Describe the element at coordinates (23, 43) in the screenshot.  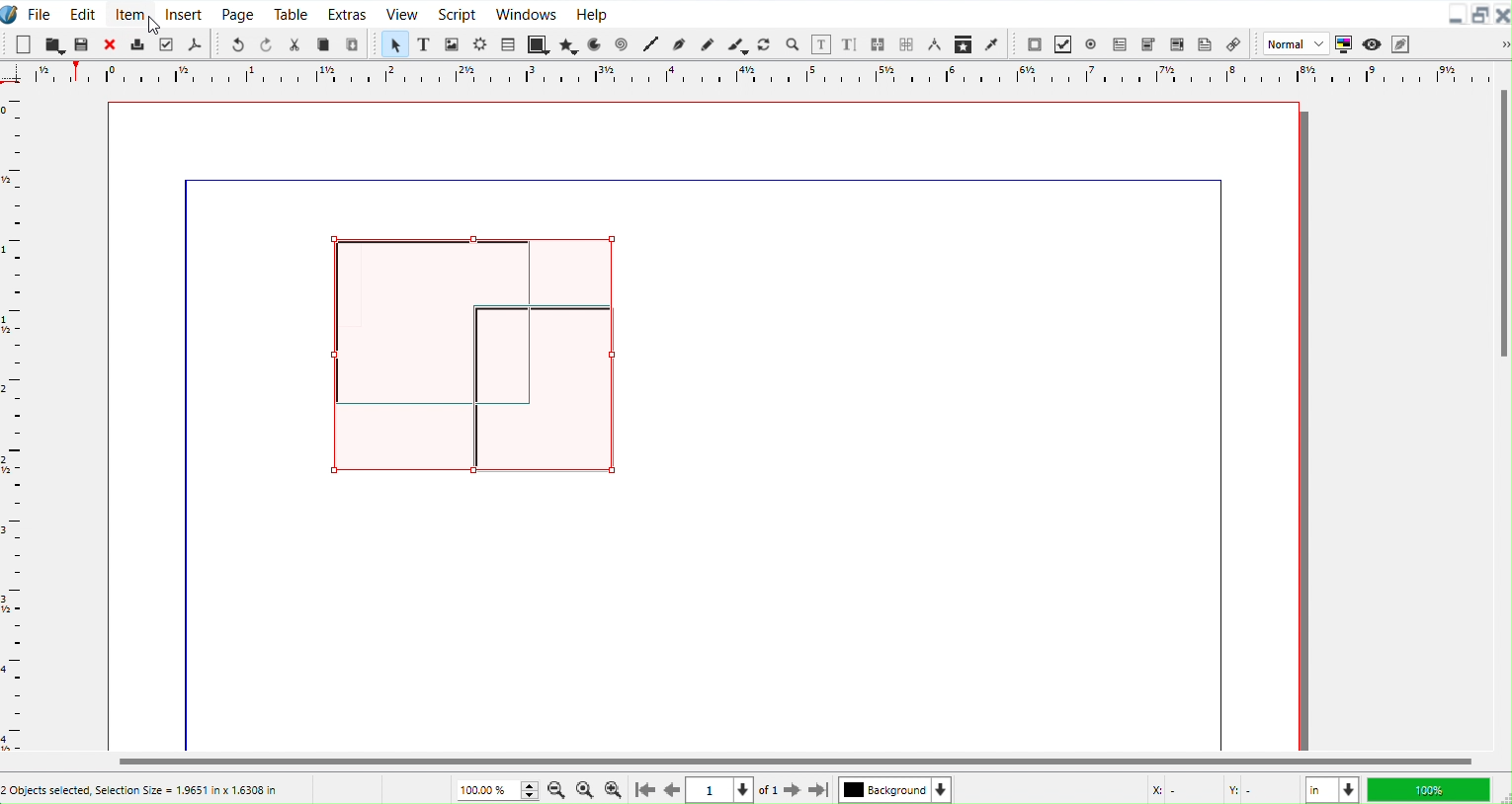
I see `New` at that location.